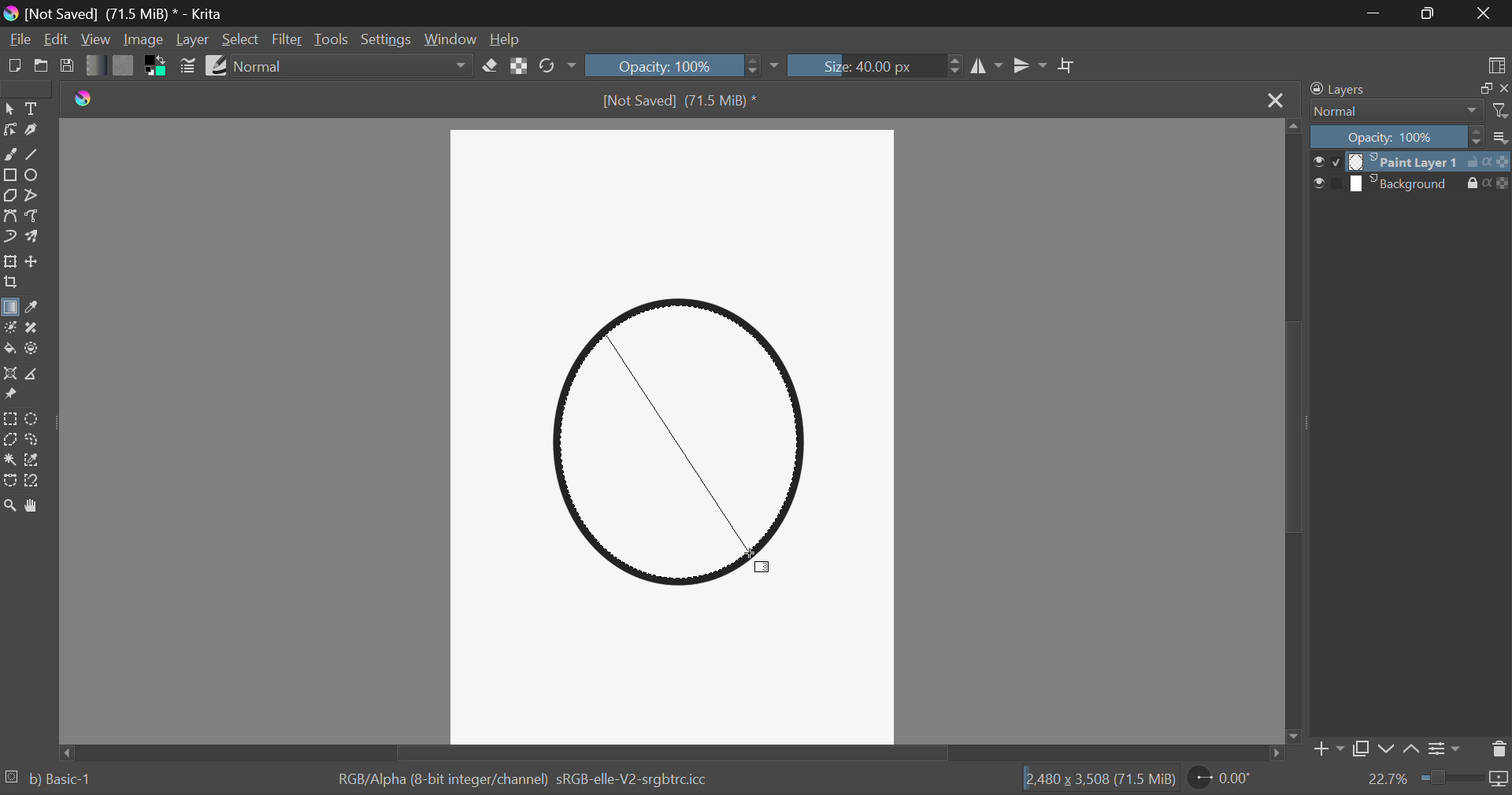 The width and height of the screenshot is (1512, 795). Describe the element at coordinates (1395, 138) in the screenshot. I see `Opacity` at that location.